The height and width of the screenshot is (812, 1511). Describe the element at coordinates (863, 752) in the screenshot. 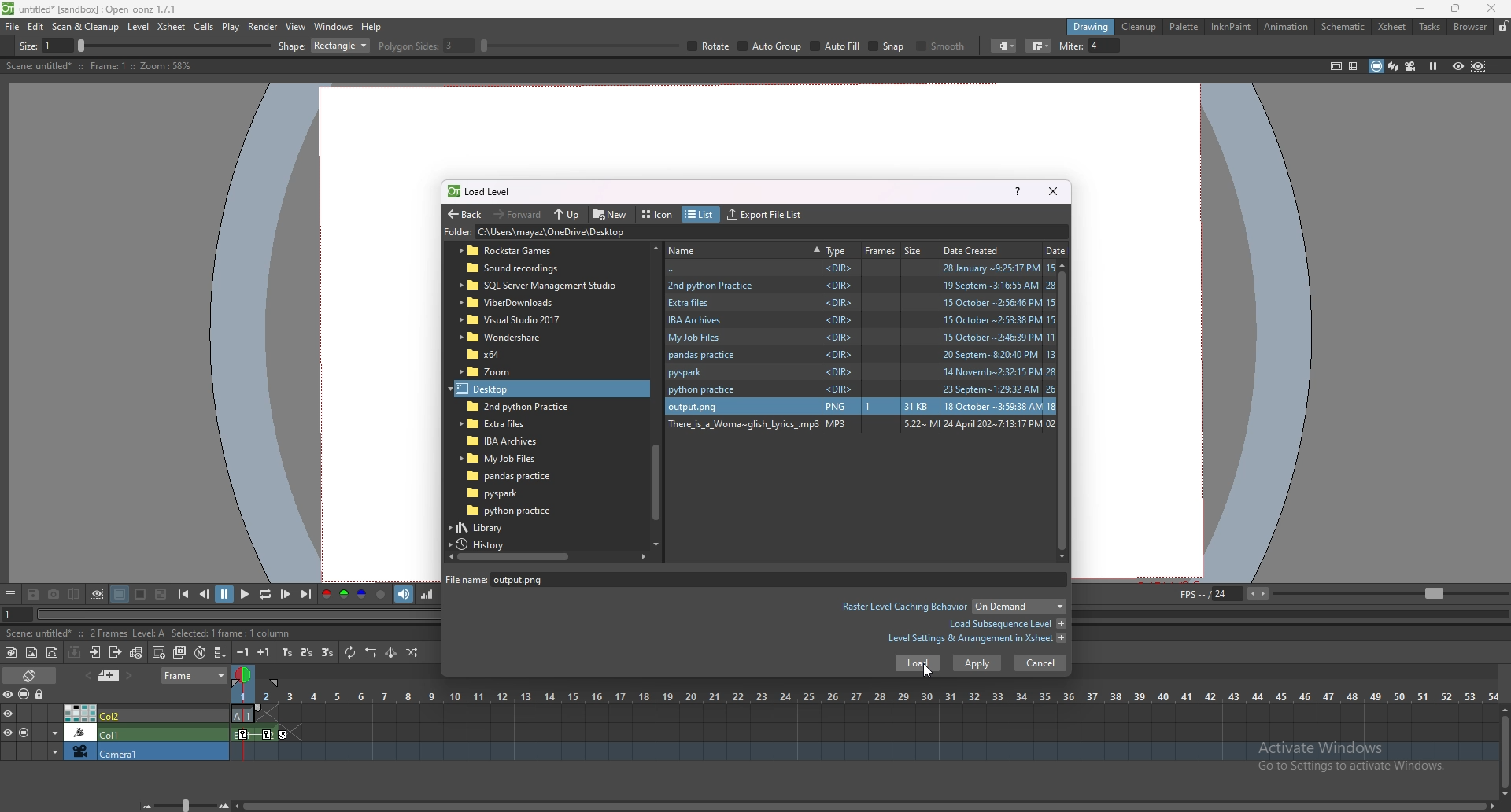

I see `timeline` at that location.